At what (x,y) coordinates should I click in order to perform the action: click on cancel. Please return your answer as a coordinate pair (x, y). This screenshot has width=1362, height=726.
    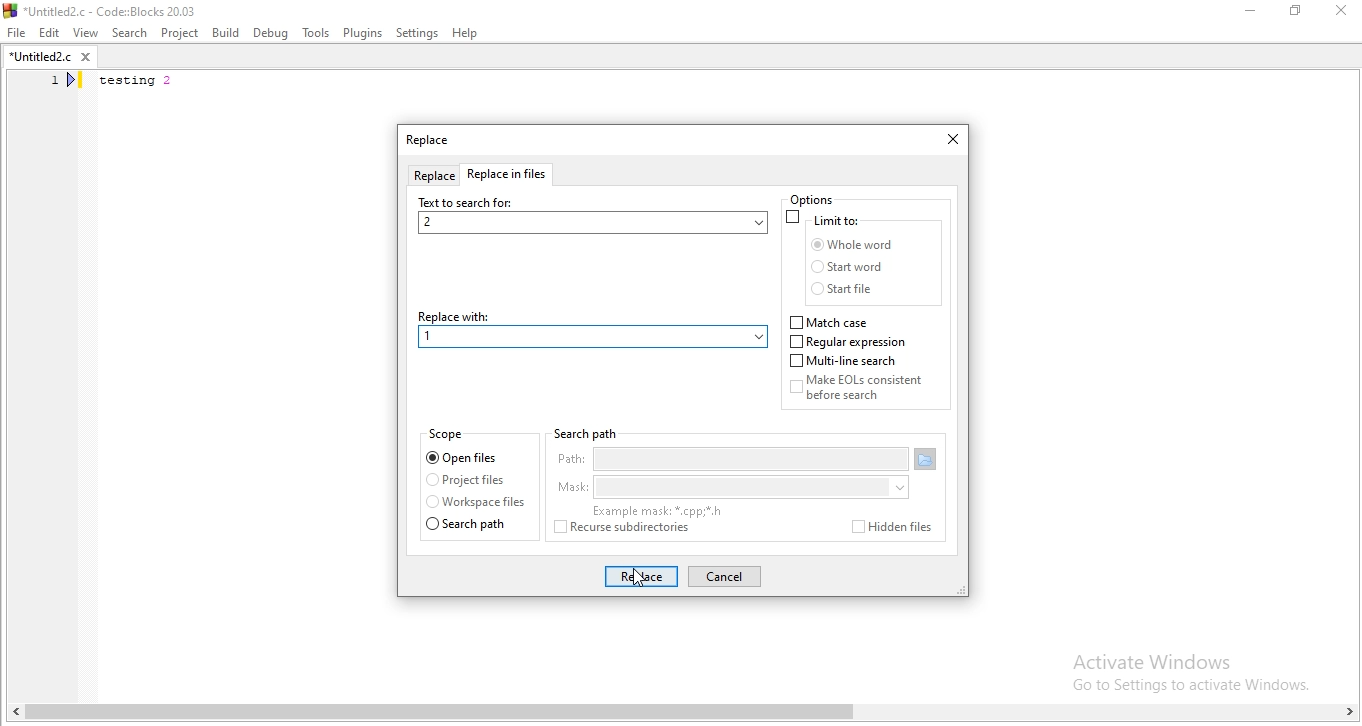
    Looking at the image, I should click on (723, 577).